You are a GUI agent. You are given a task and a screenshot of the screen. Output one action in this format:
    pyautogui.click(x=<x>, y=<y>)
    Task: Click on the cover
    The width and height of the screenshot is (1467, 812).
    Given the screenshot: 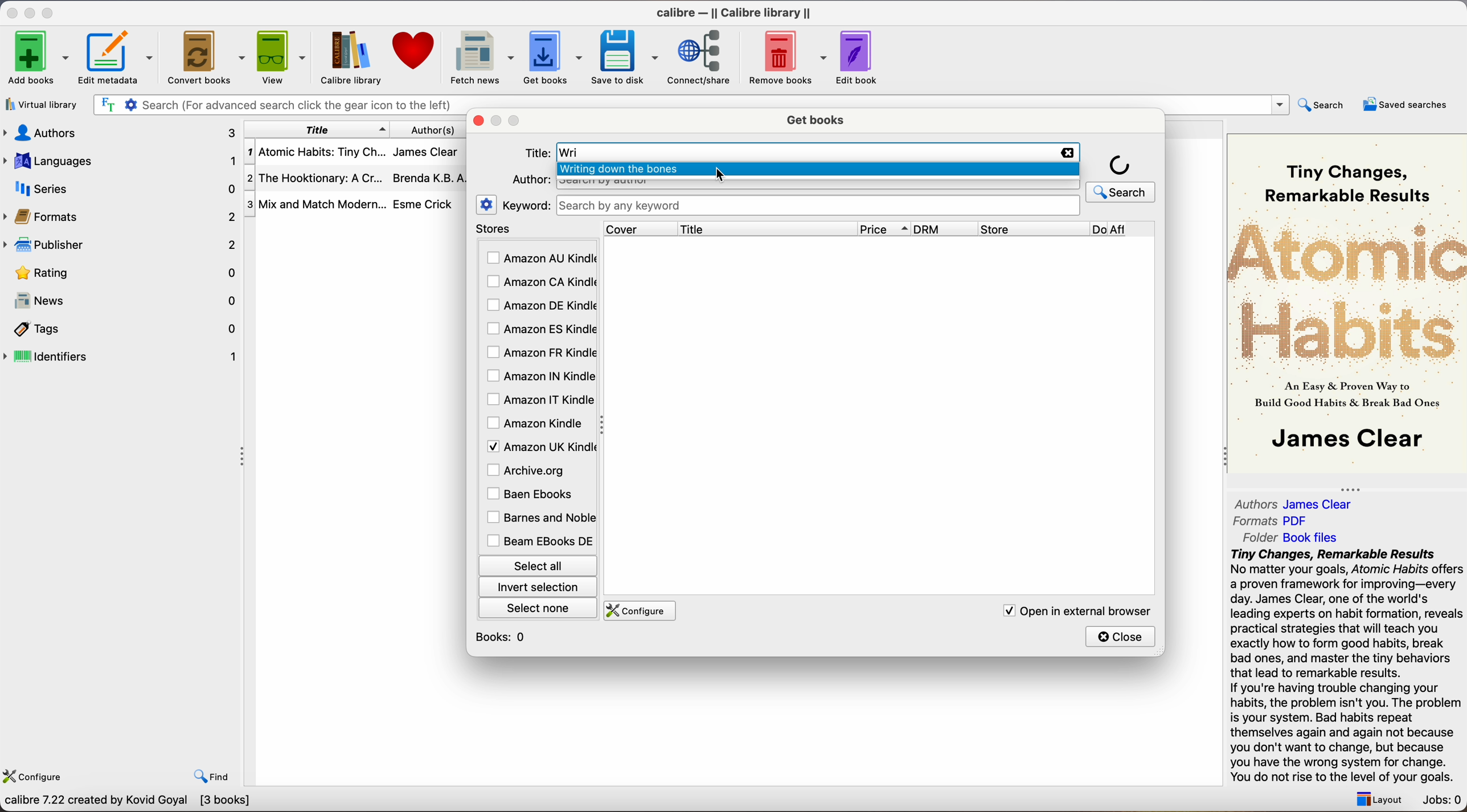 What is the action you would take?
    pyautogui.click(x=640, y=228)
    